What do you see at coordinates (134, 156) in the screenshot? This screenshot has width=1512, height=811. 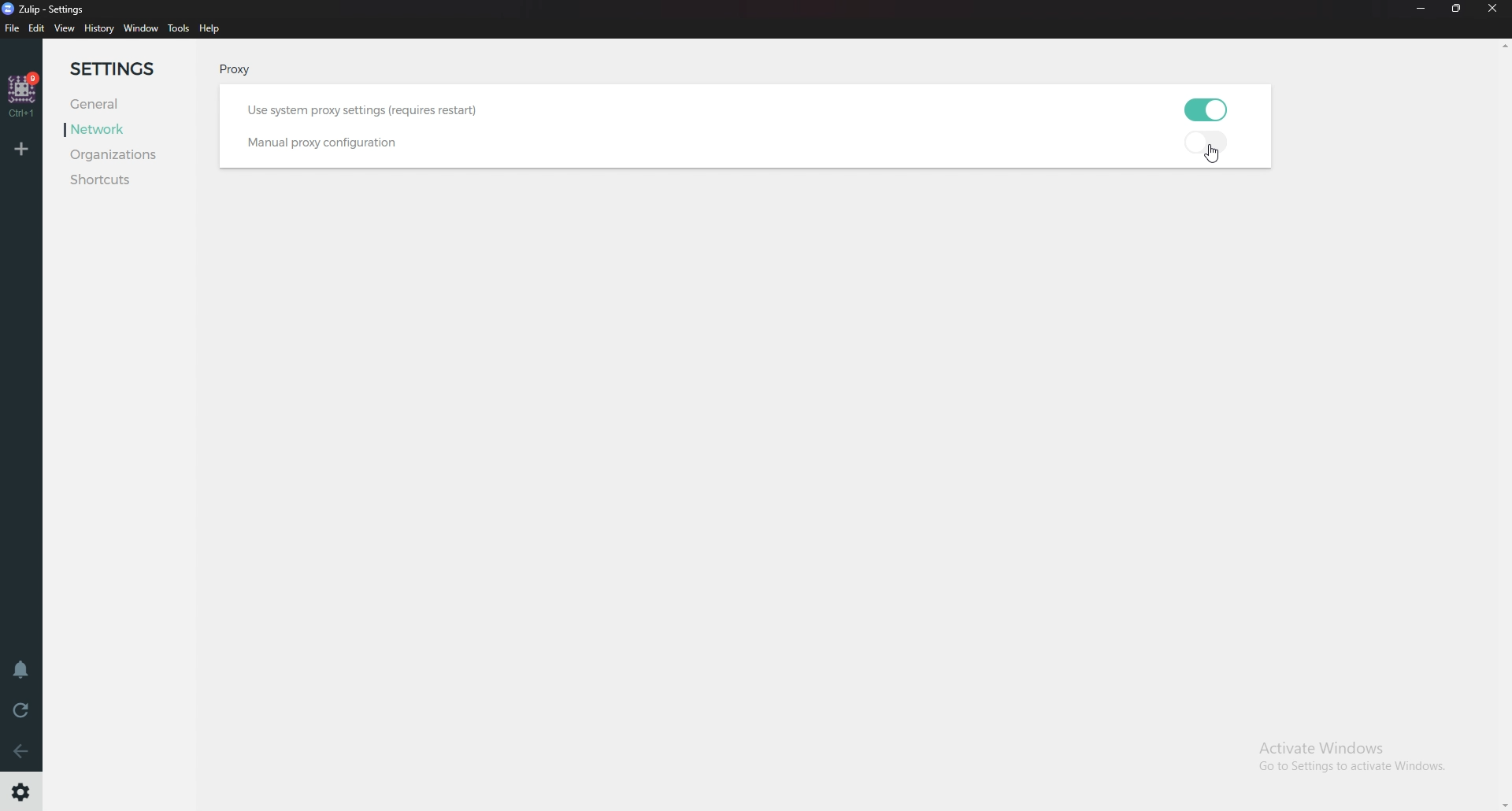 I see `Organizations` at bounding box center [134, 156].